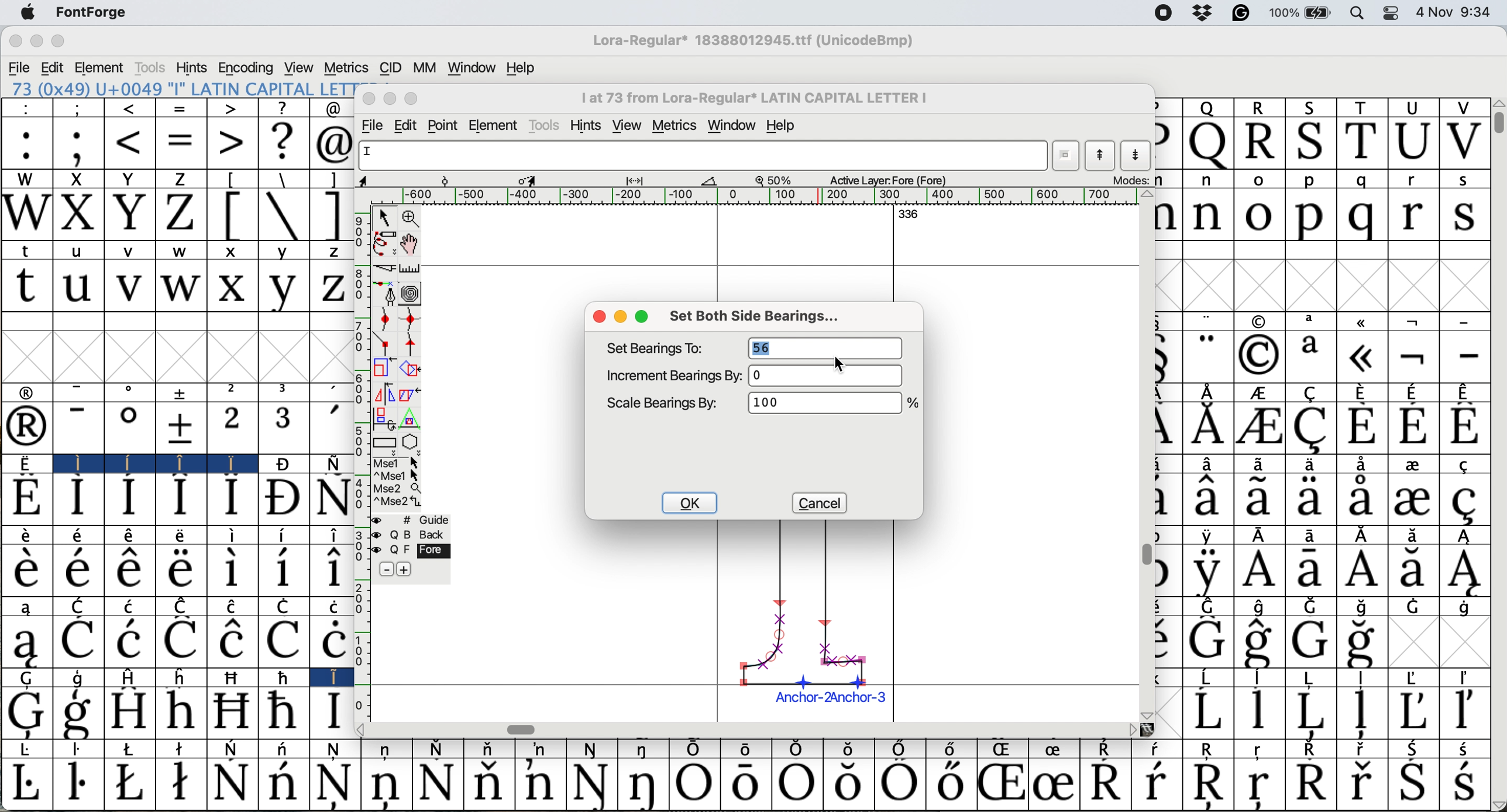  Describe the element at coordinates (1312, 428) in the screenshot. I see `Symbol` at that location.